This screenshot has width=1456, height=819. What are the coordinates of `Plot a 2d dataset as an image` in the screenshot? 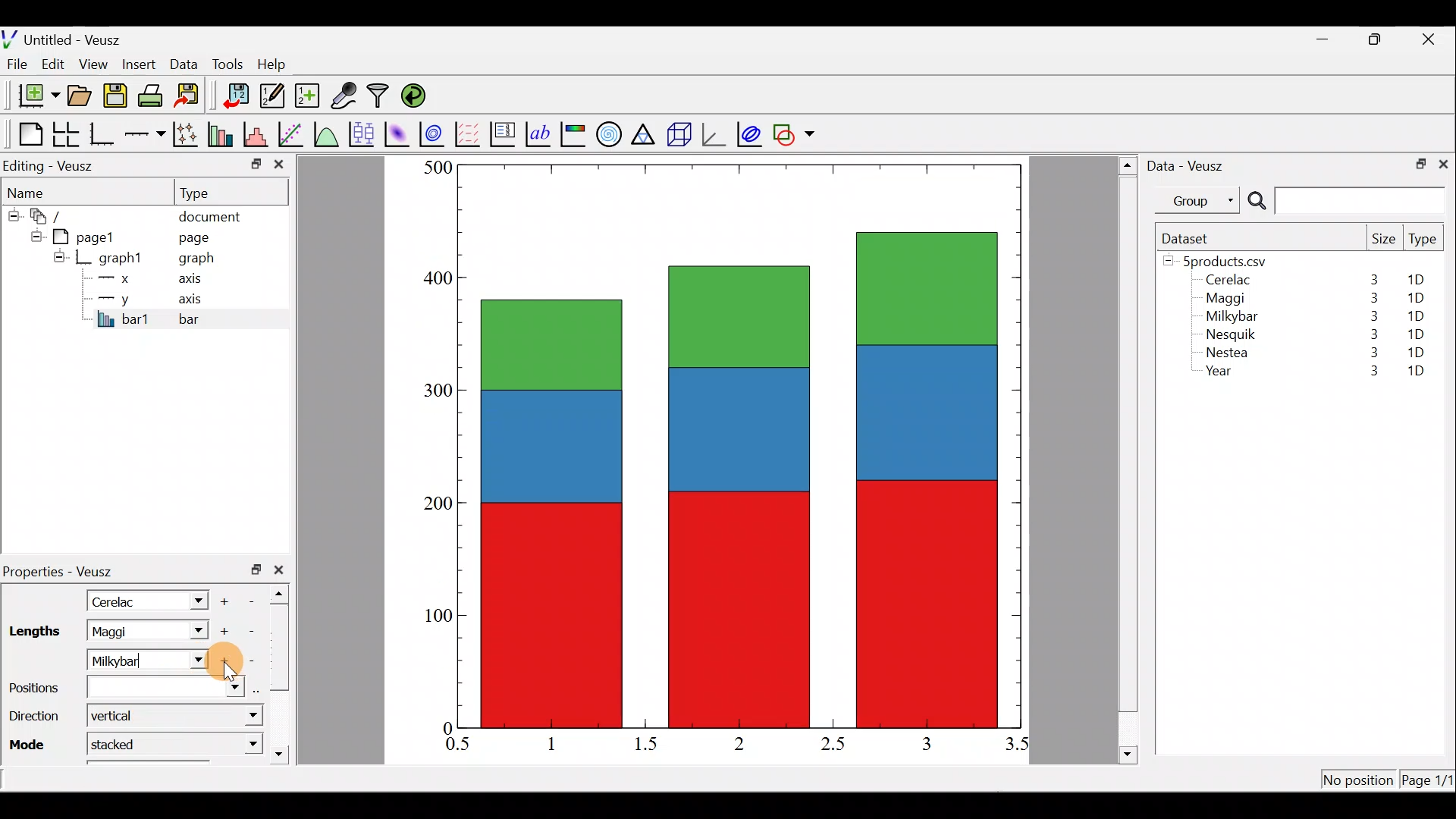 It's located at (399, 132).